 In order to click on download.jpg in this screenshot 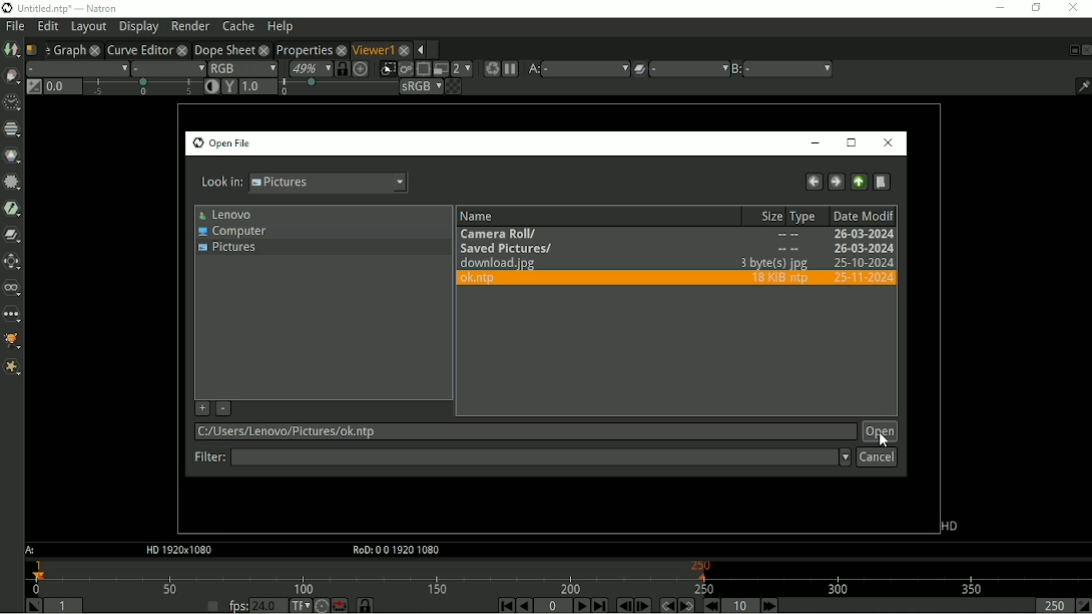, I will do `click(678, 264)`.